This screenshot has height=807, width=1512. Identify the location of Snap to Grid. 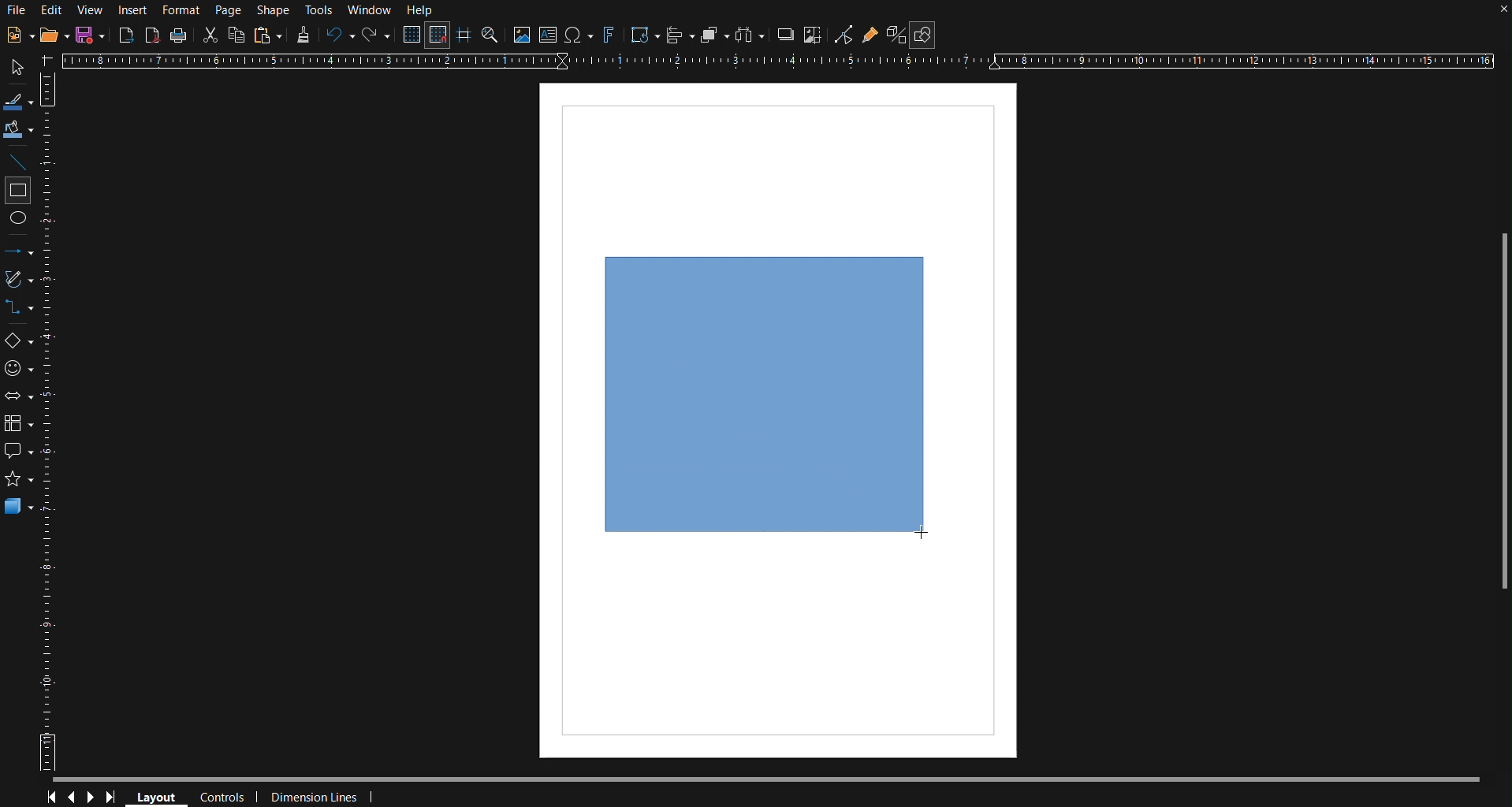
(437, 35).